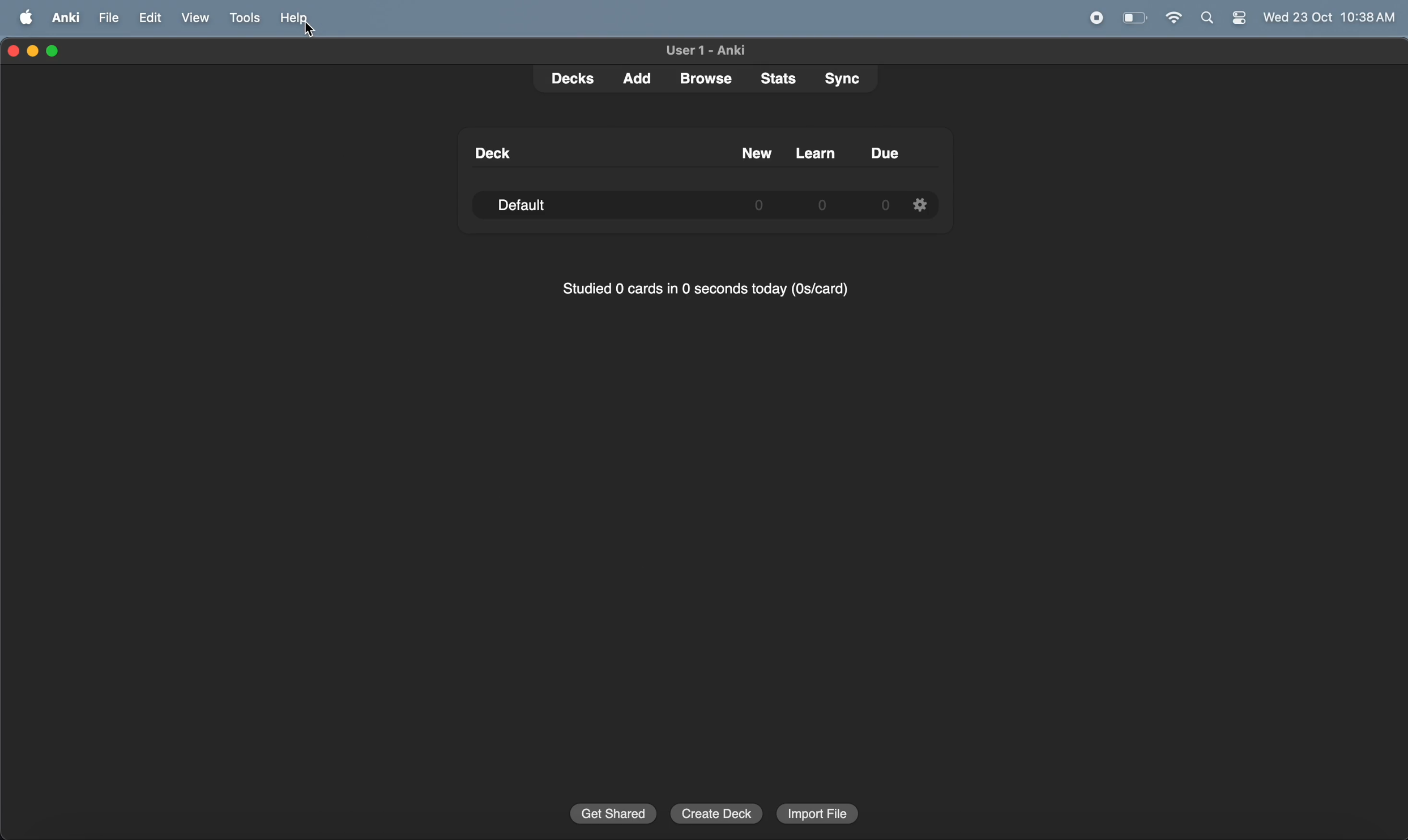 The image size is (1408, 840). Describe the element at coordinates (535, 205) in the screenshot. I see `default` at that location.